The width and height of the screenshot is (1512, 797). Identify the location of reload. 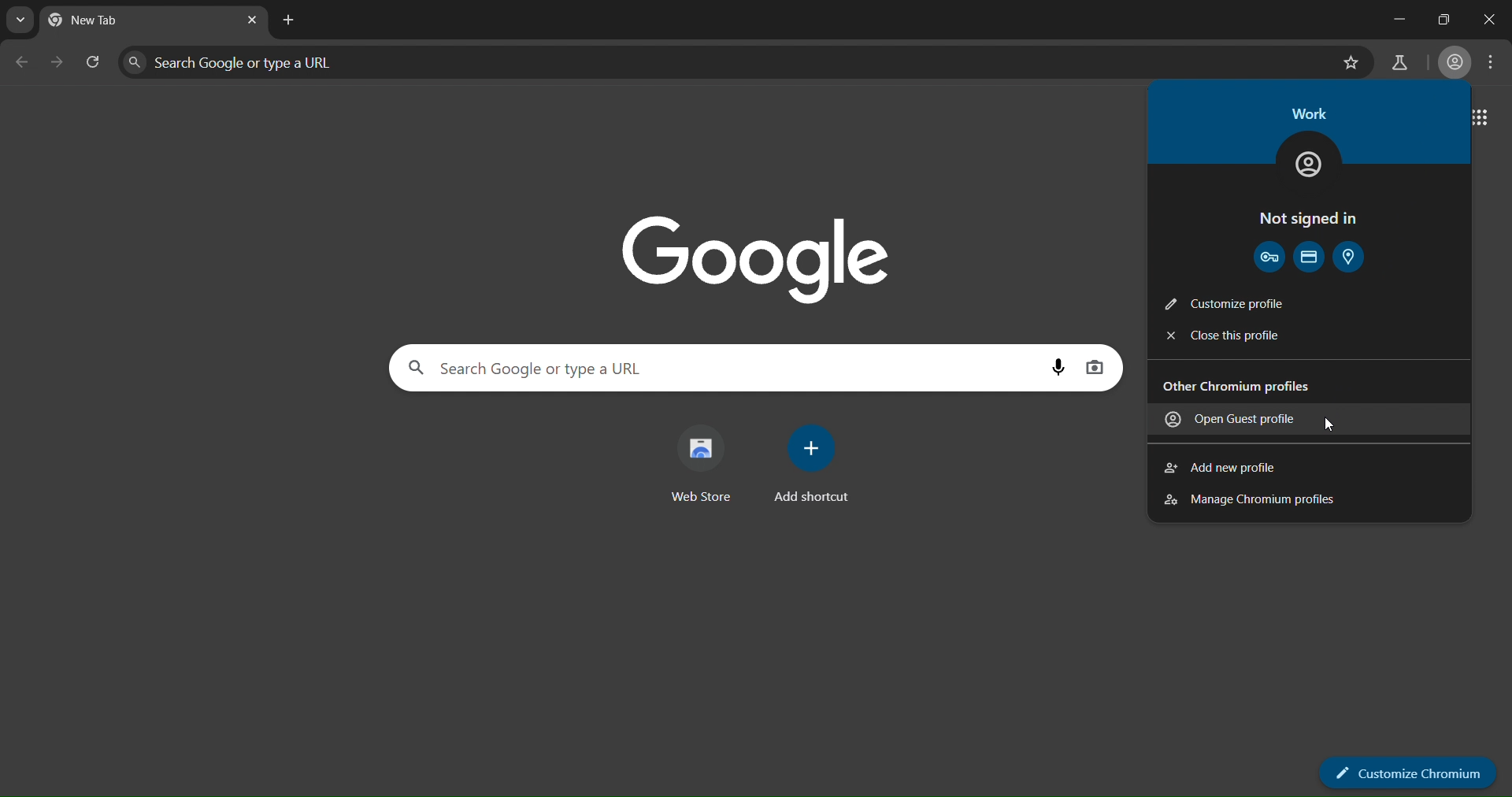
(90, 63).